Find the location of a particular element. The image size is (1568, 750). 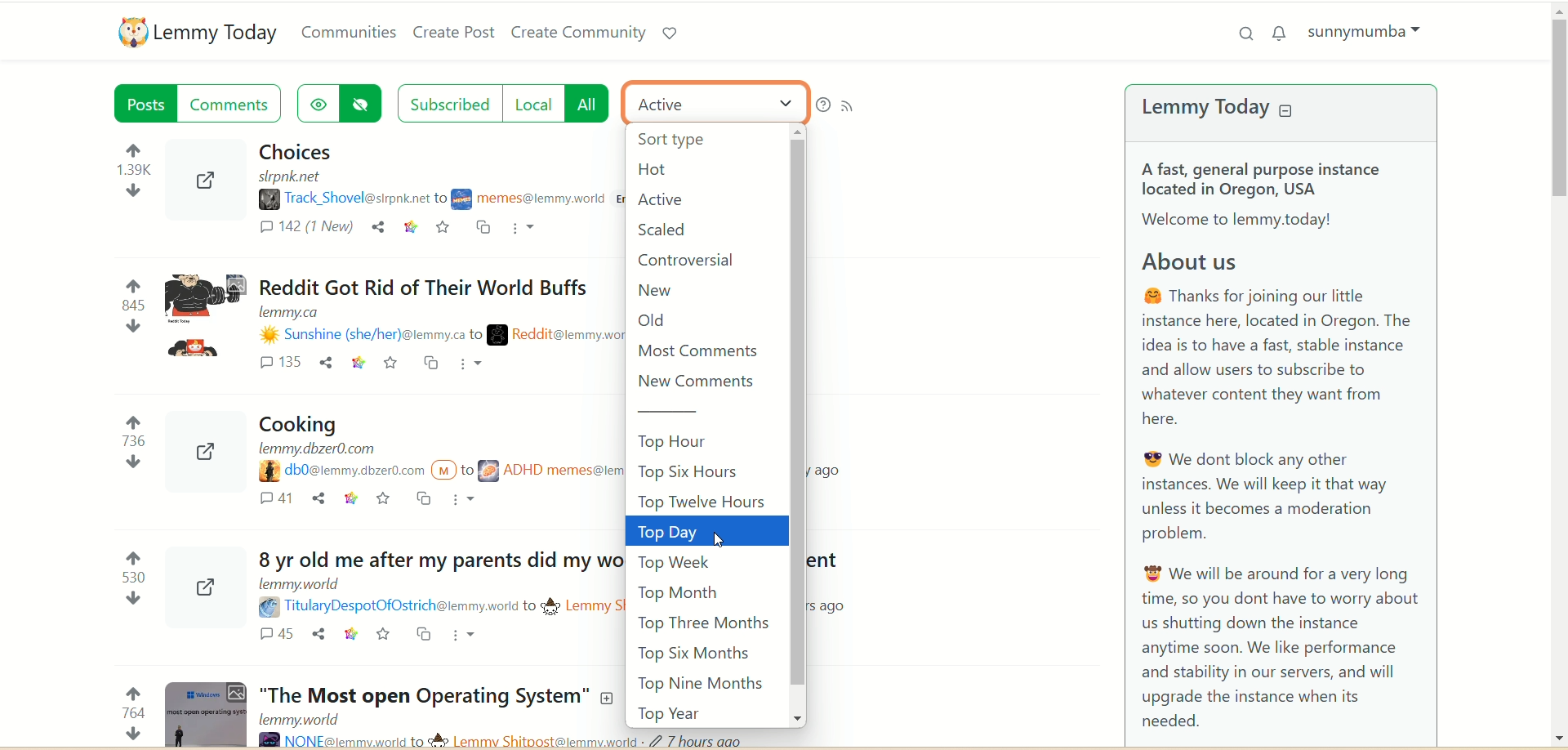

search is located at coordinates (1242, 33).